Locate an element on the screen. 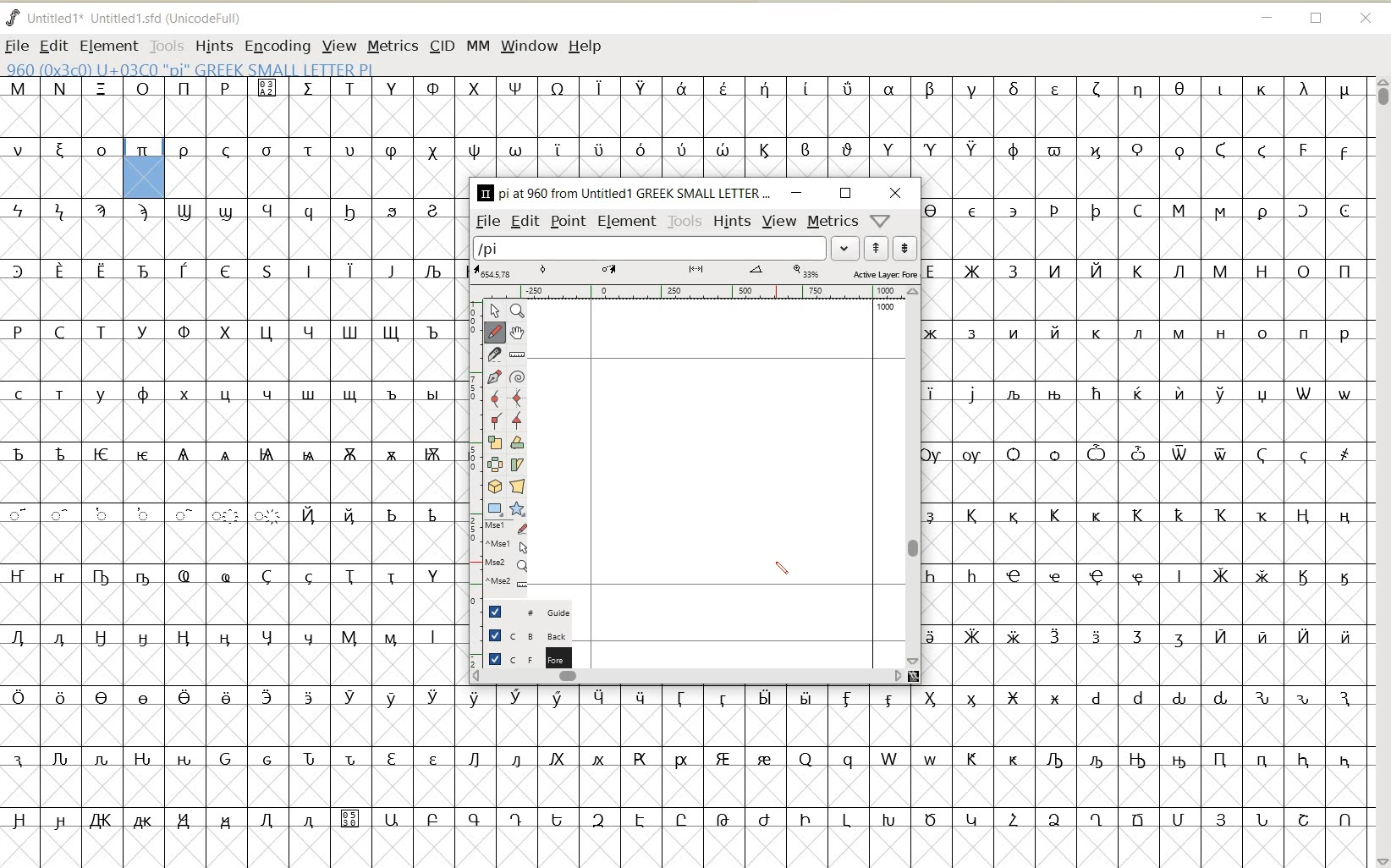 This screenshot has width=1391, height=868. metrics is located at coordinates (833, 222).